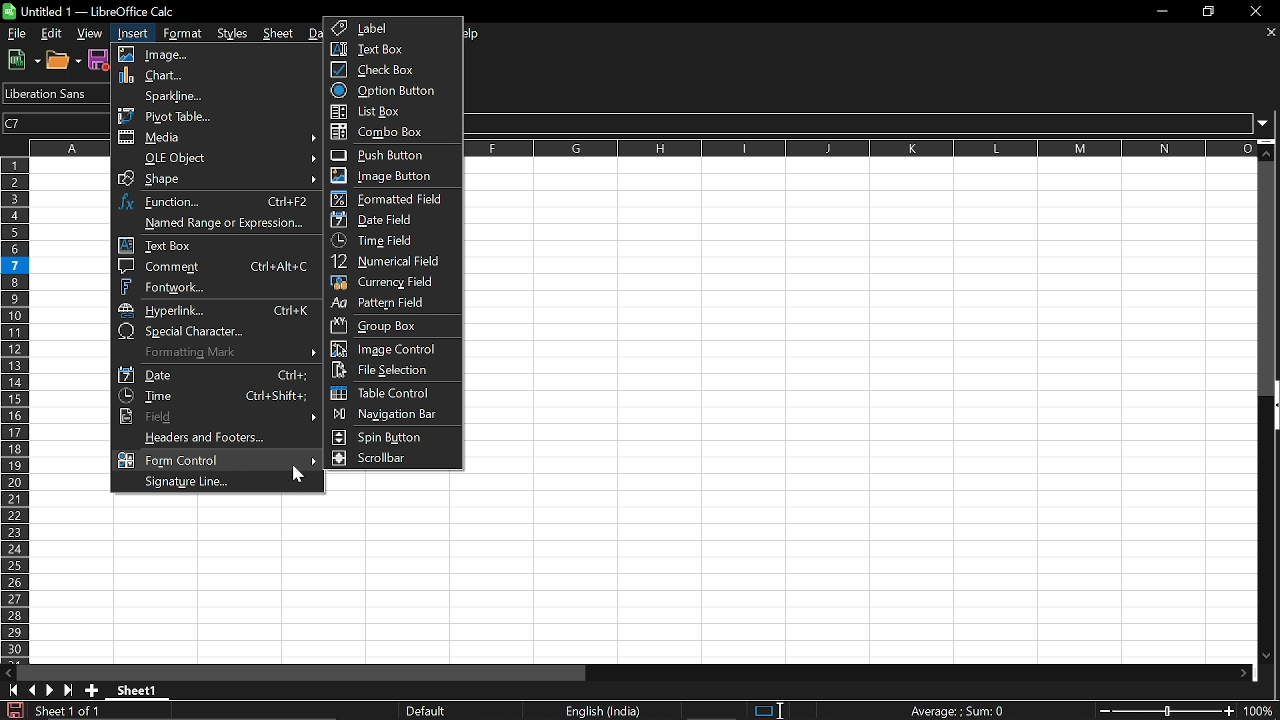 This screenshot has width=1280, height=720. I want to click on Columns, so click(861, 148).